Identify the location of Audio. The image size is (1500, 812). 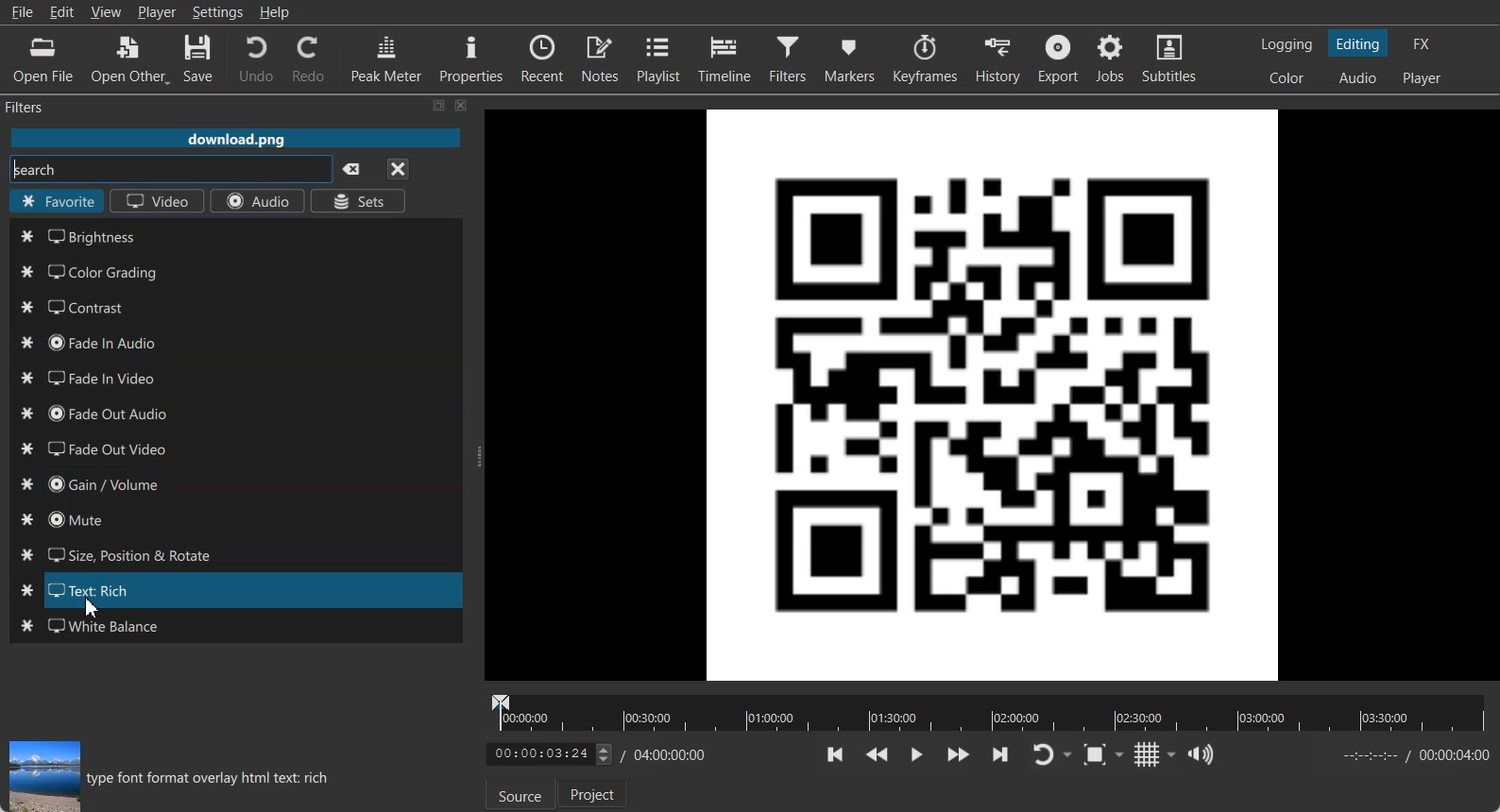
(260, 202).